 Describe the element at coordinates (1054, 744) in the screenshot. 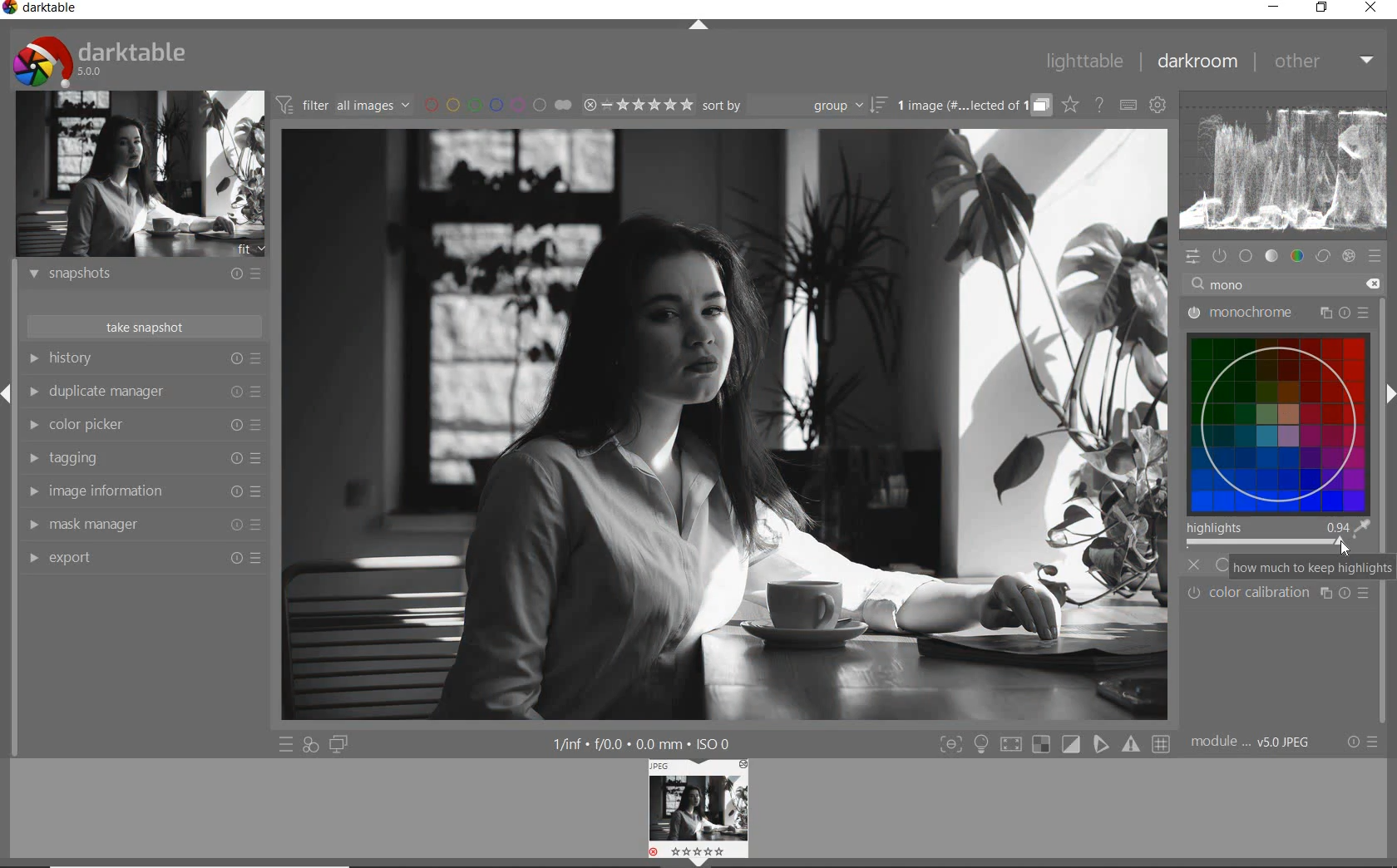

I see `Toggle modes` at that location.